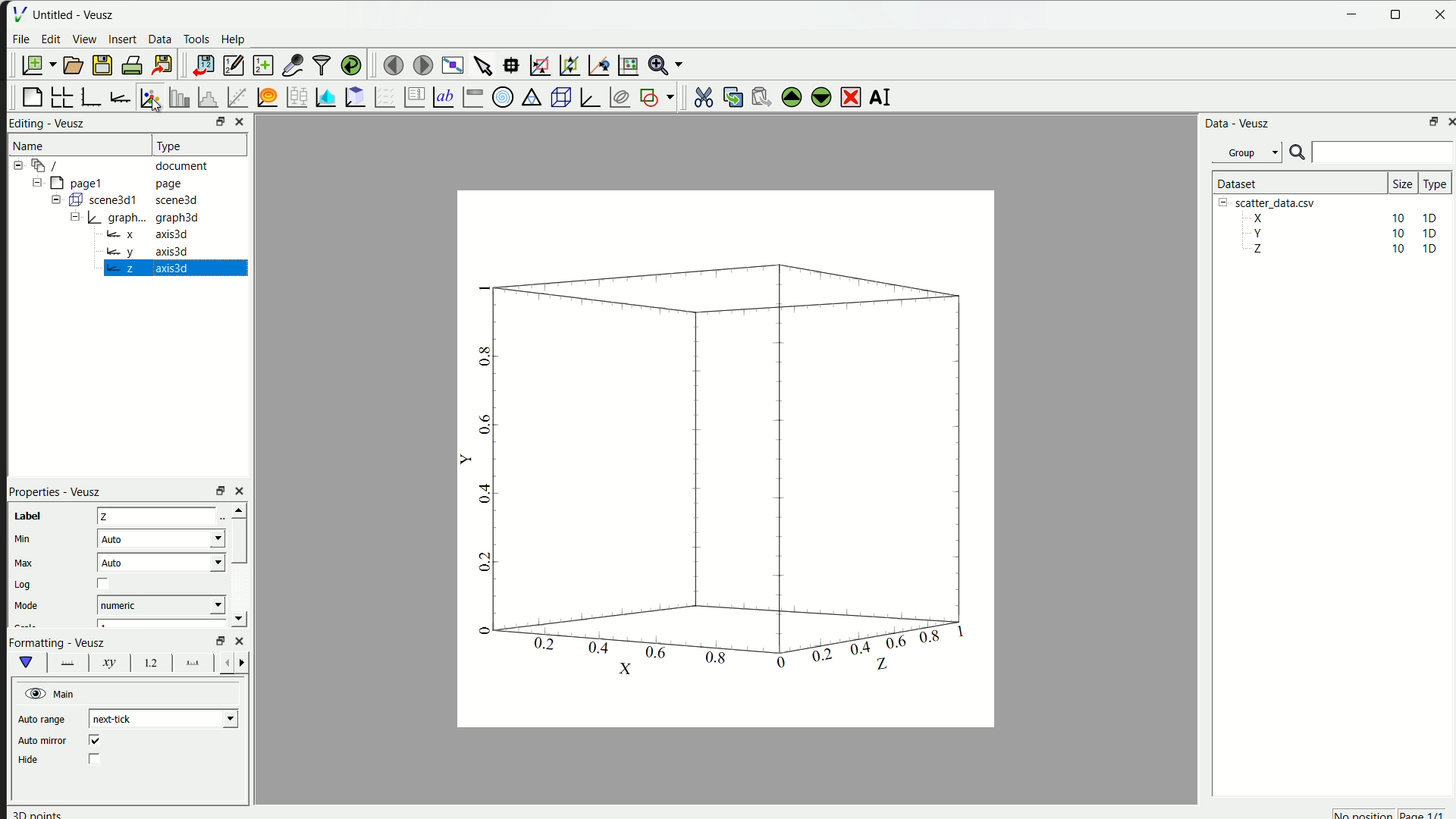 Image resolution: width=1456 pixels, height=819 pixels. Describe the element at coordinates (168, 563) in the screenshot. I see `| Auto` at that location.